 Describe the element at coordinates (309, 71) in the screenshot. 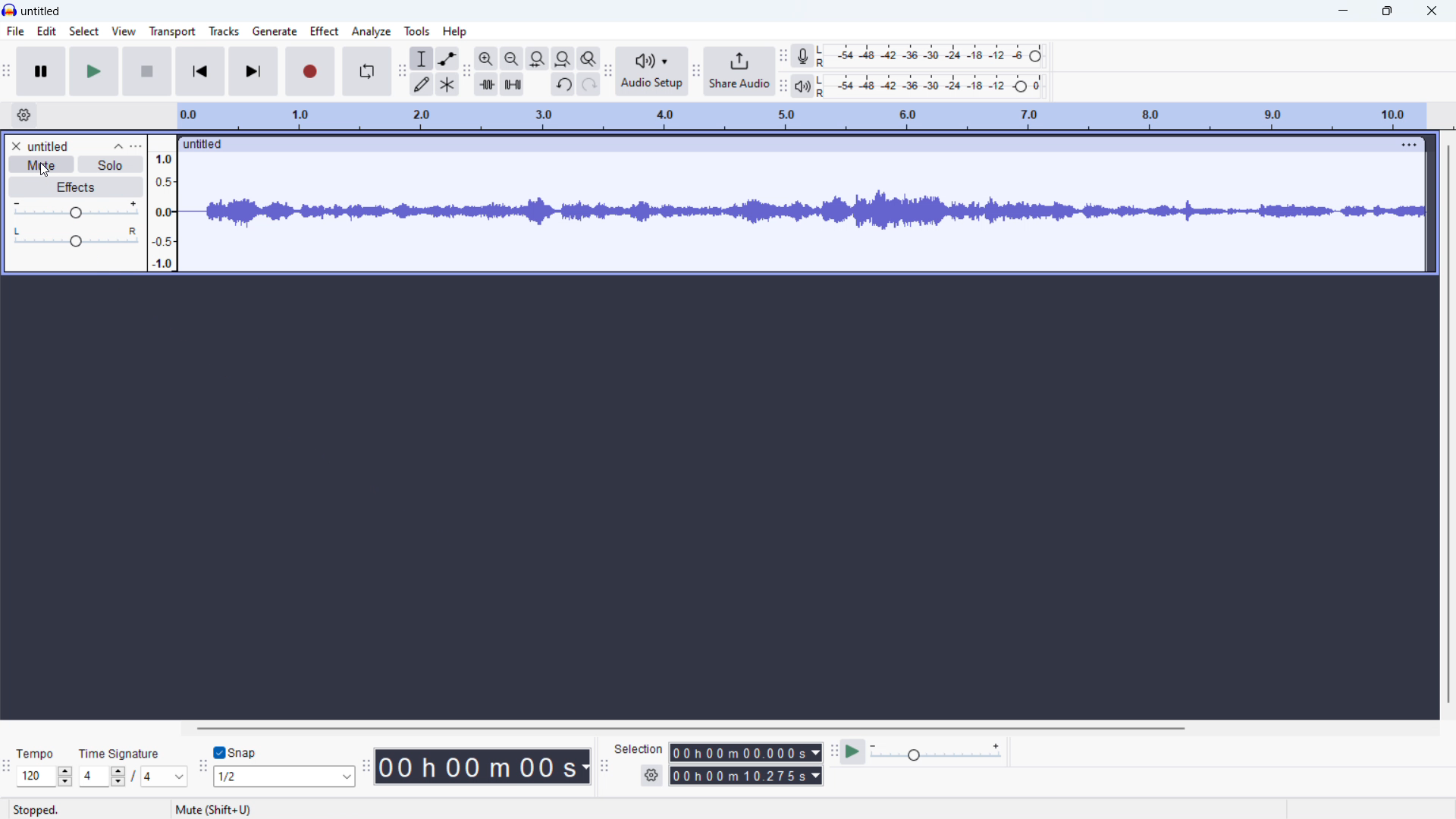

I see `record` at that location.